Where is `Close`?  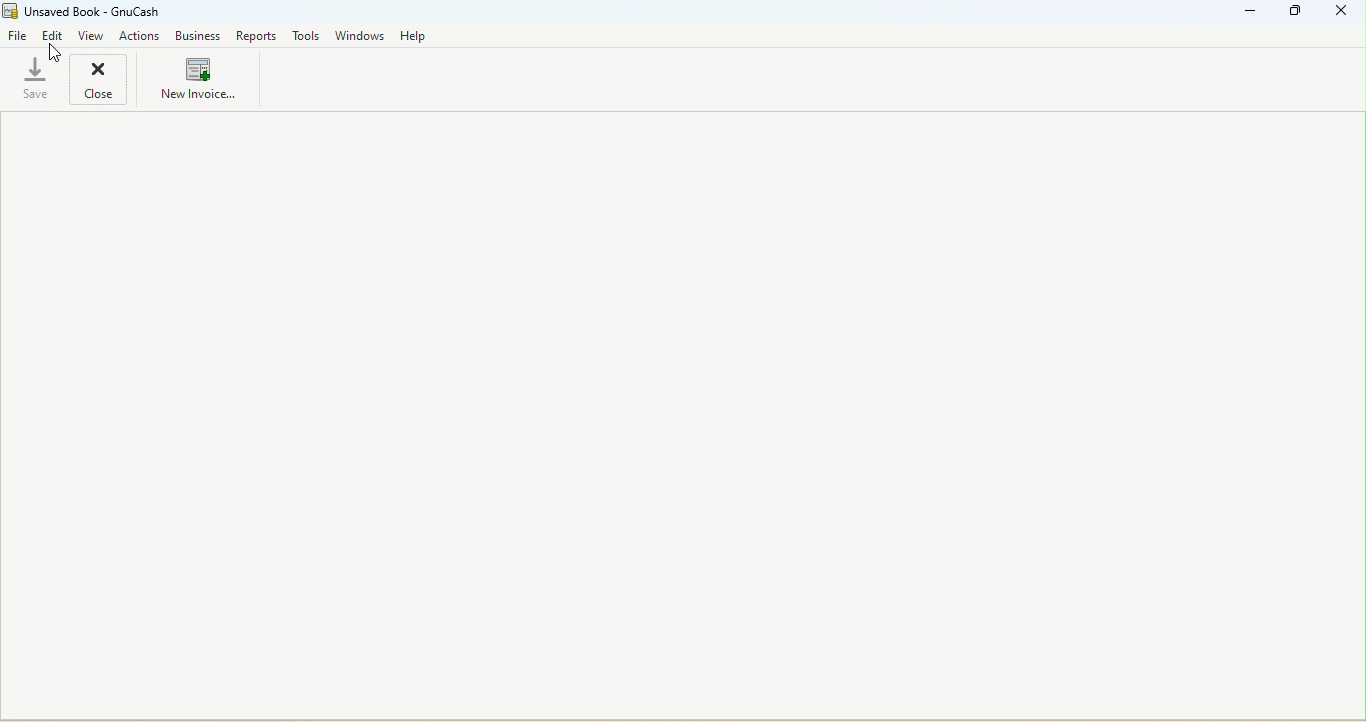 Close is located at coordinates (1342, 14).